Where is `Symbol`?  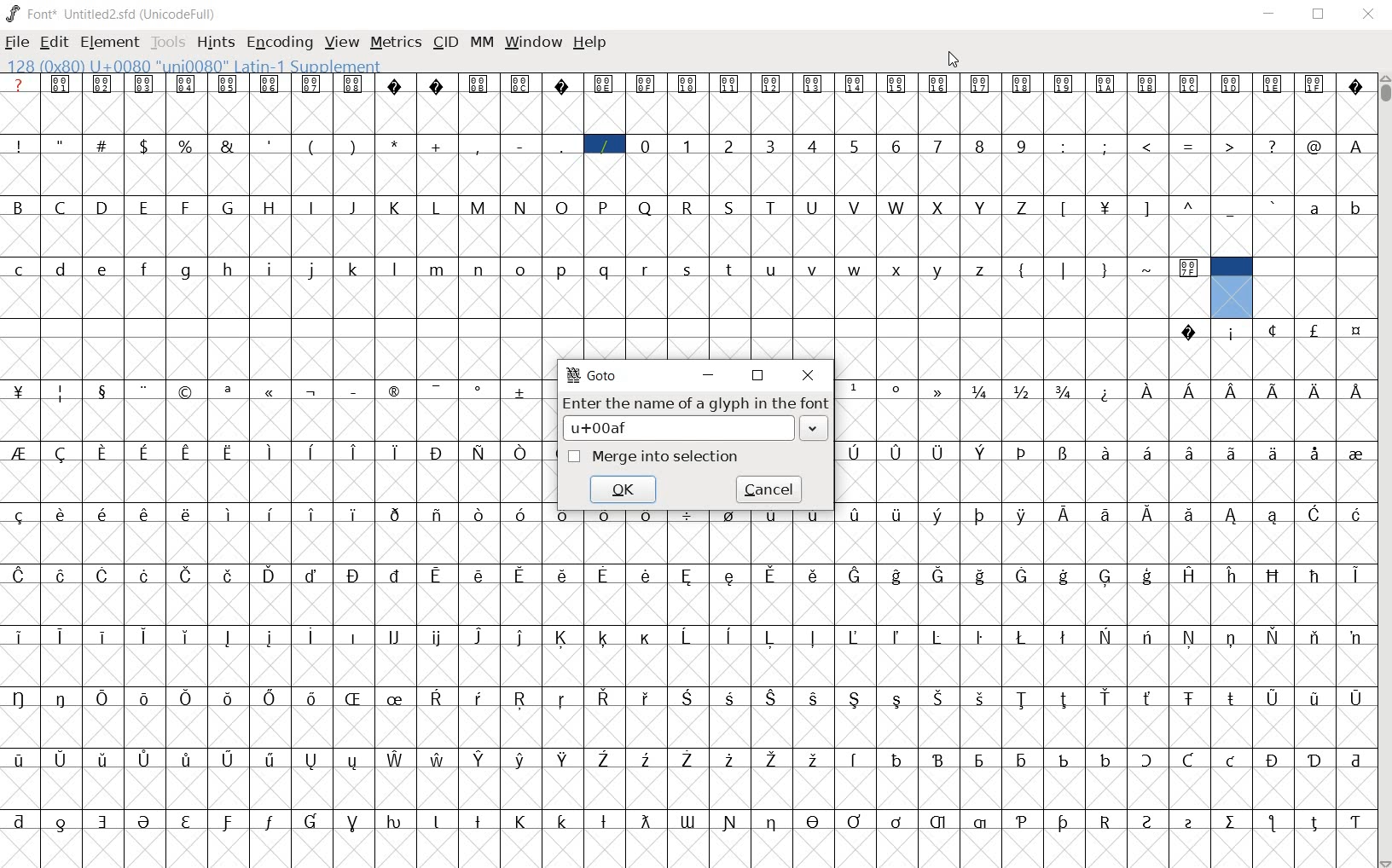 Symbol is located at coordinates (732, 574).